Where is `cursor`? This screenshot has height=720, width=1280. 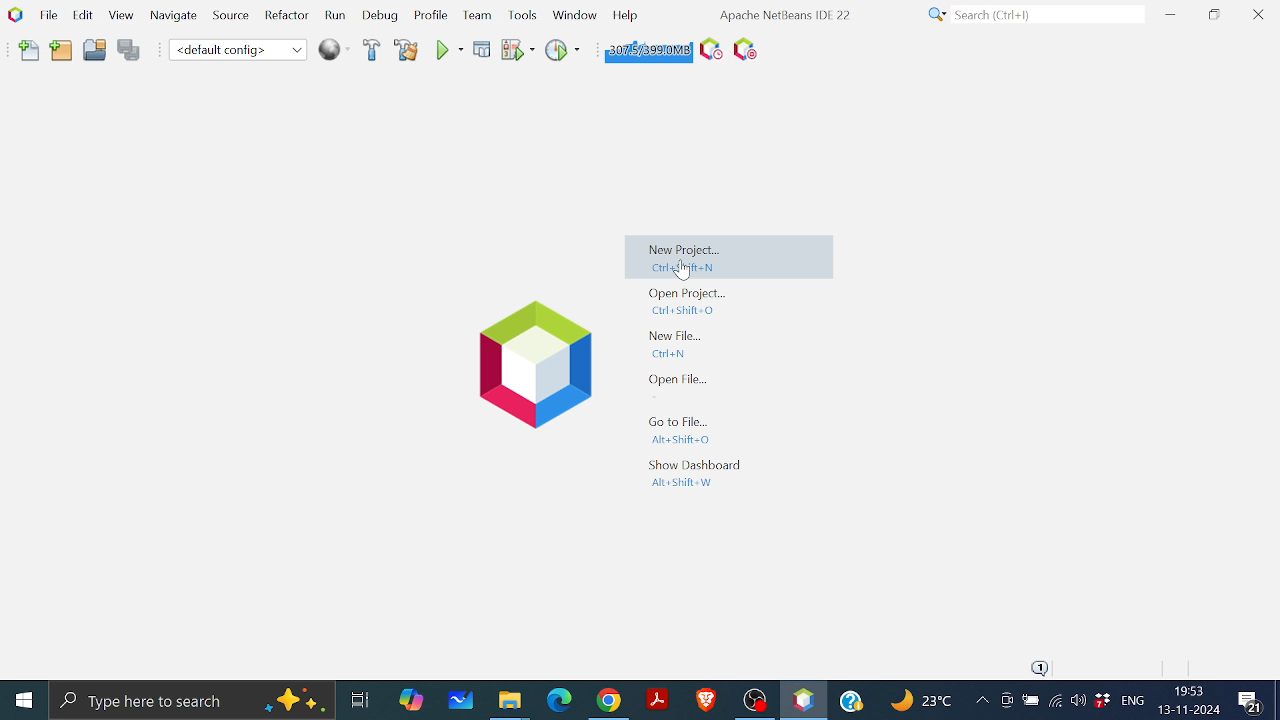
cursor is located at coordinates (682, 271).